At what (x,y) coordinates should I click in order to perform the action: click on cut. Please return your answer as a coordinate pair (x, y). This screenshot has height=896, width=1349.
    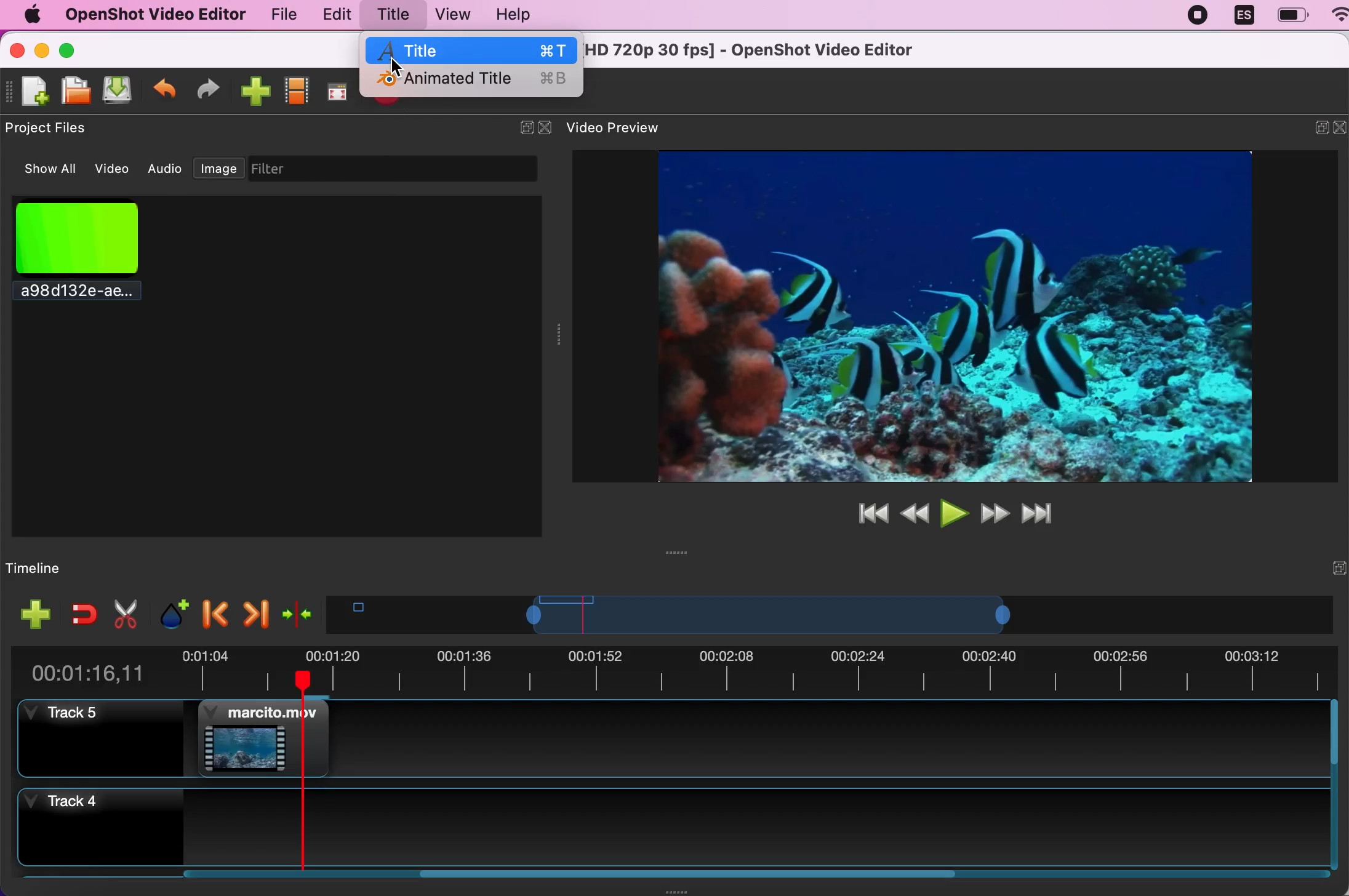
    Looking at the image, I should click on (124, 614).